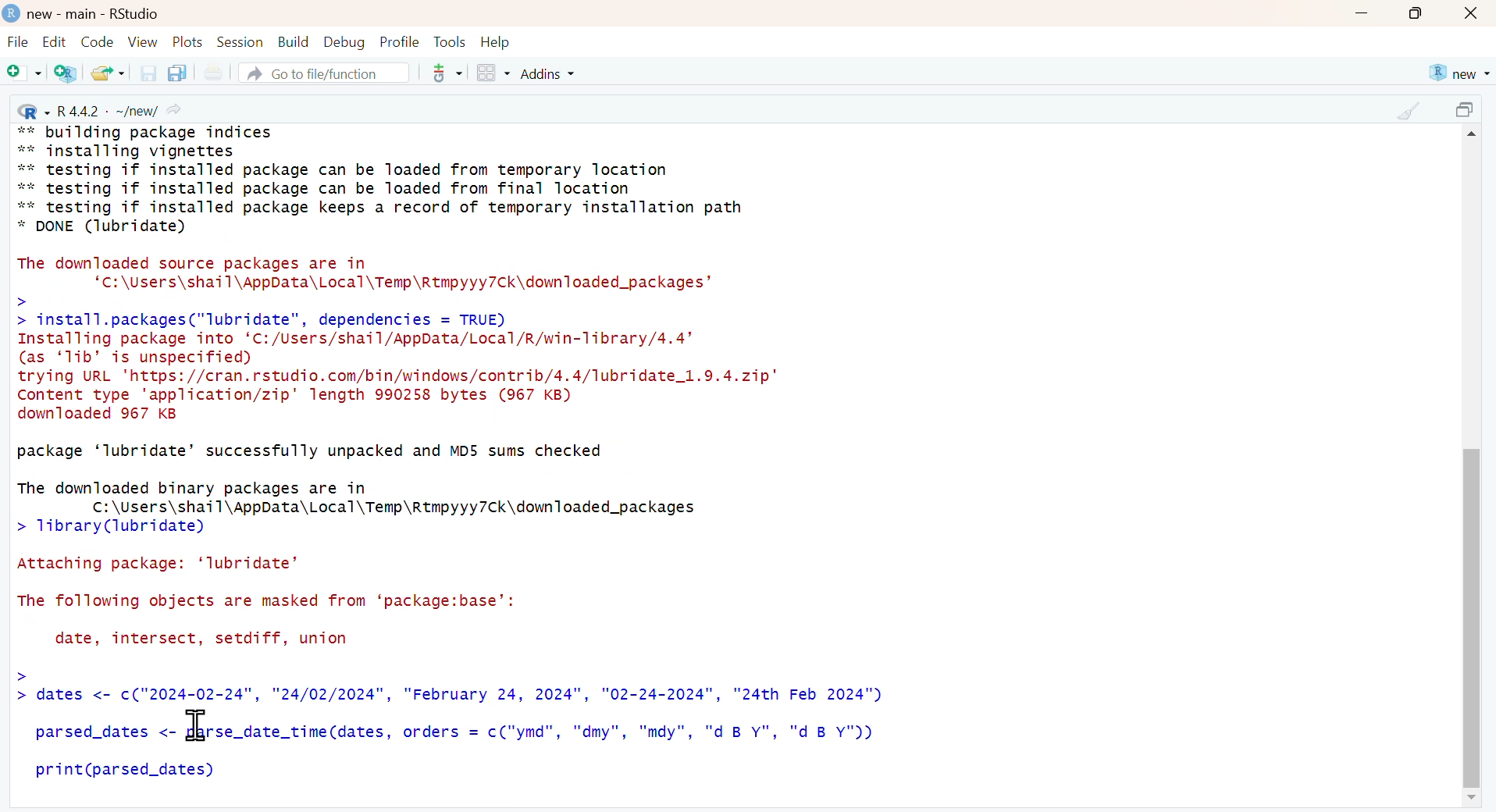  Describe the element at coordinates (402, 422) in the screenshot. I see `> install.packages("lubridate"”, dependencies = TRUE)

Installing package into ‘C:/Users/shail/AppData/Local/R/win-Tibrary/4.4’

(as ‘1ib’ is unspecified)

trying URL 'https://cran.rstudio.com/bin/windows/contrib/4.4/lubridate_1.9.4.zip"’

Content type 'application/zip' length 990258 bytes (967 KB)

downloaded 967 KB

package ‘Tubridate’ successfully unpacked and MD5 sums checked

The downloaded binary packages are in
C:\Users\shail\AppData\Local\Temp\Rtmpyyy7Ck\downloaded_packages

> Tibrary(lubridate)` at that location.